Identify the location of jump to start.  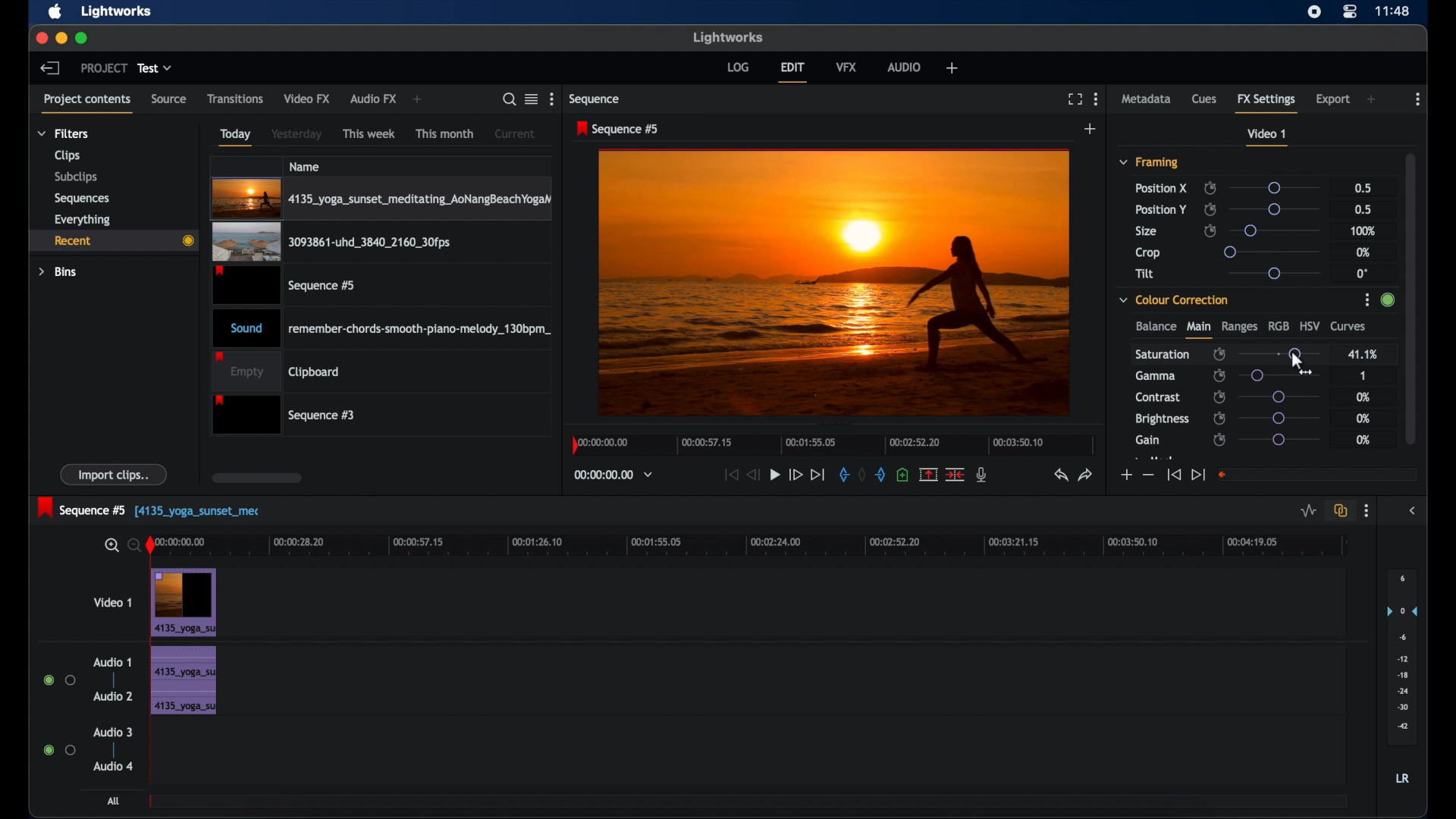
(731, 474).